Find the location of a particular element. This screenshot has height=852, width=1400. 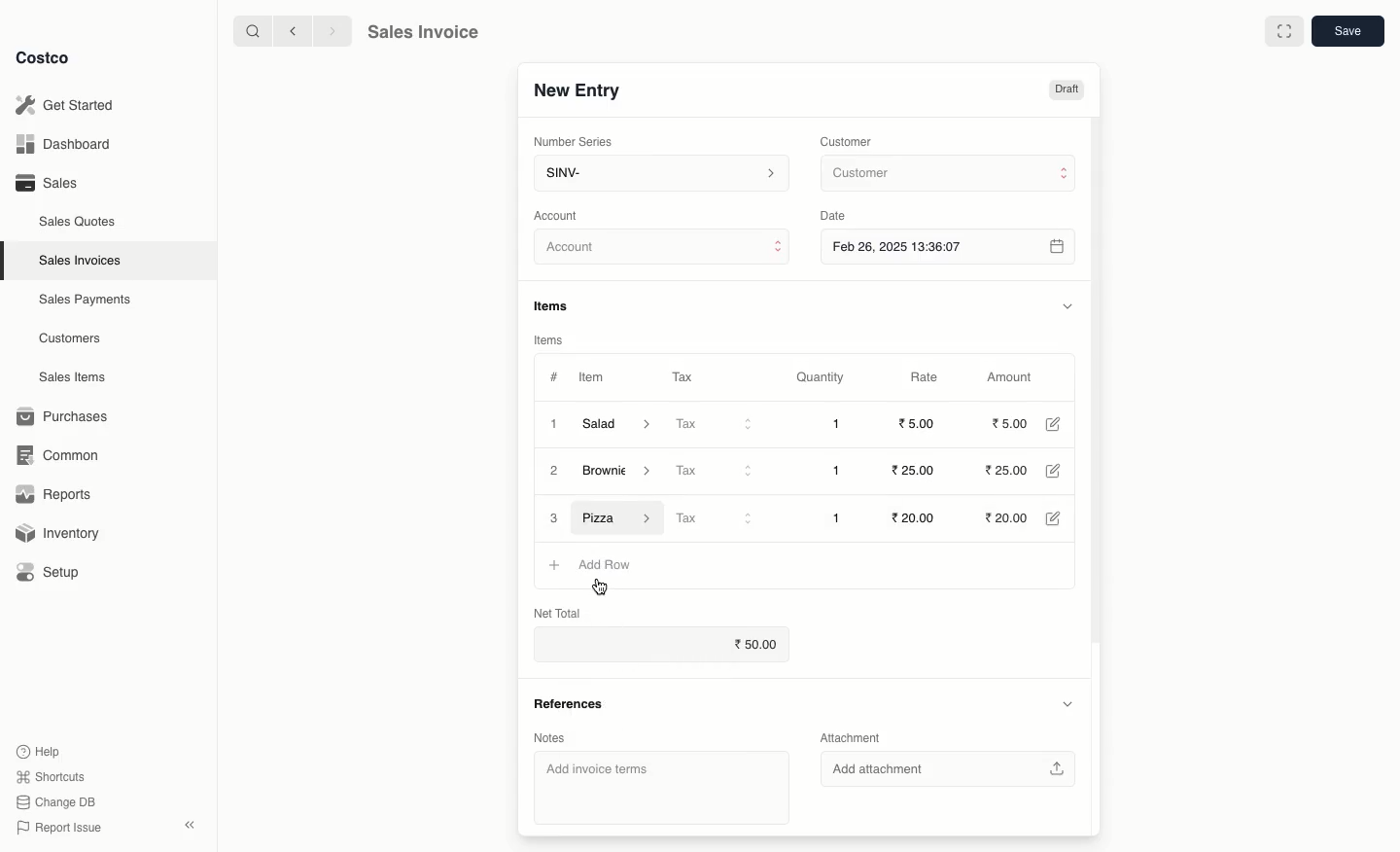

Customers is located at coordinates (70, 337).